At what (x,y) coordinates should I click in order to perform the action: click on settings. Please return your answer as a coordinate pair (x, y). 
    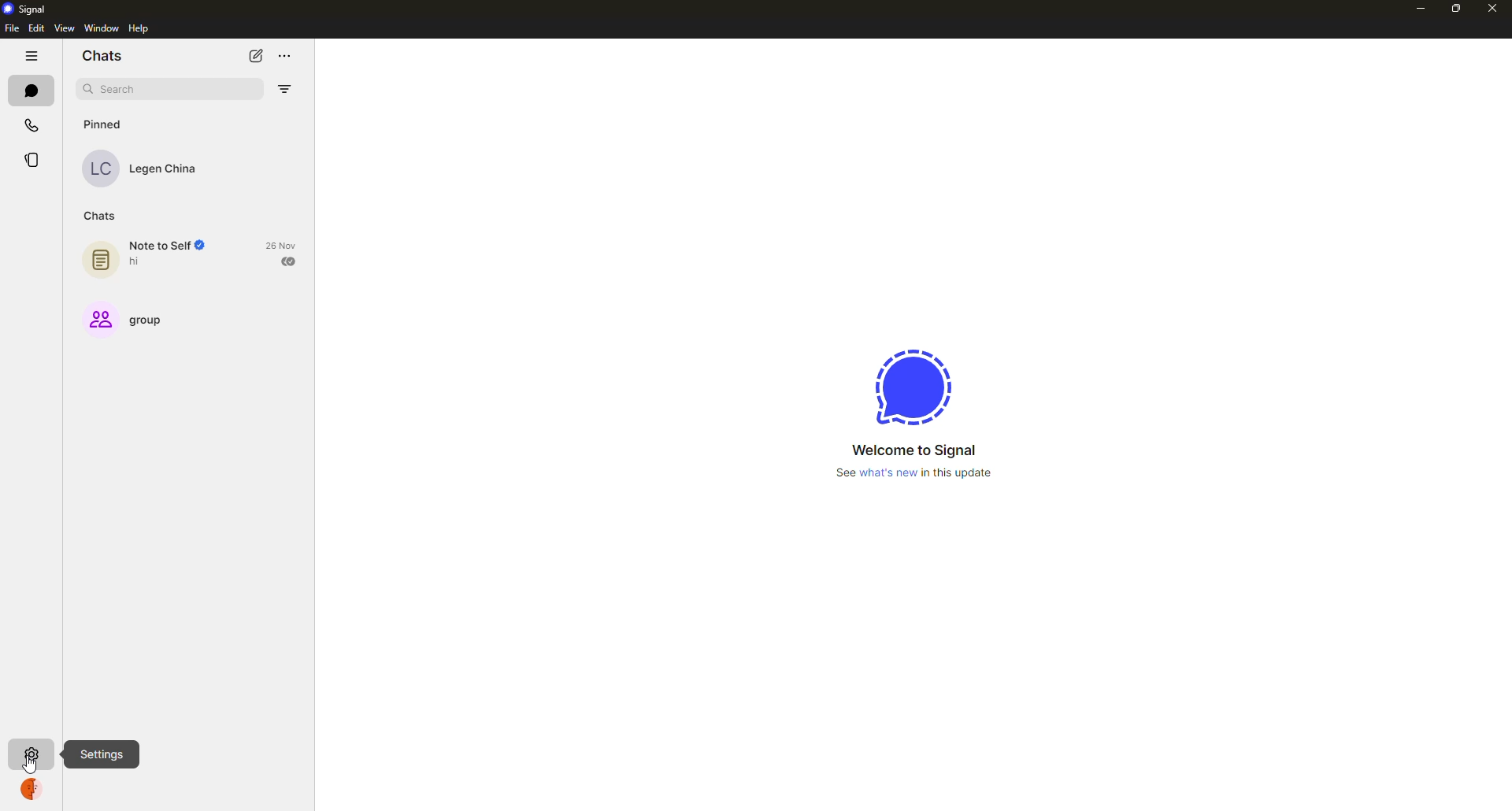
    Looking at the image, I should click on (102, 753).